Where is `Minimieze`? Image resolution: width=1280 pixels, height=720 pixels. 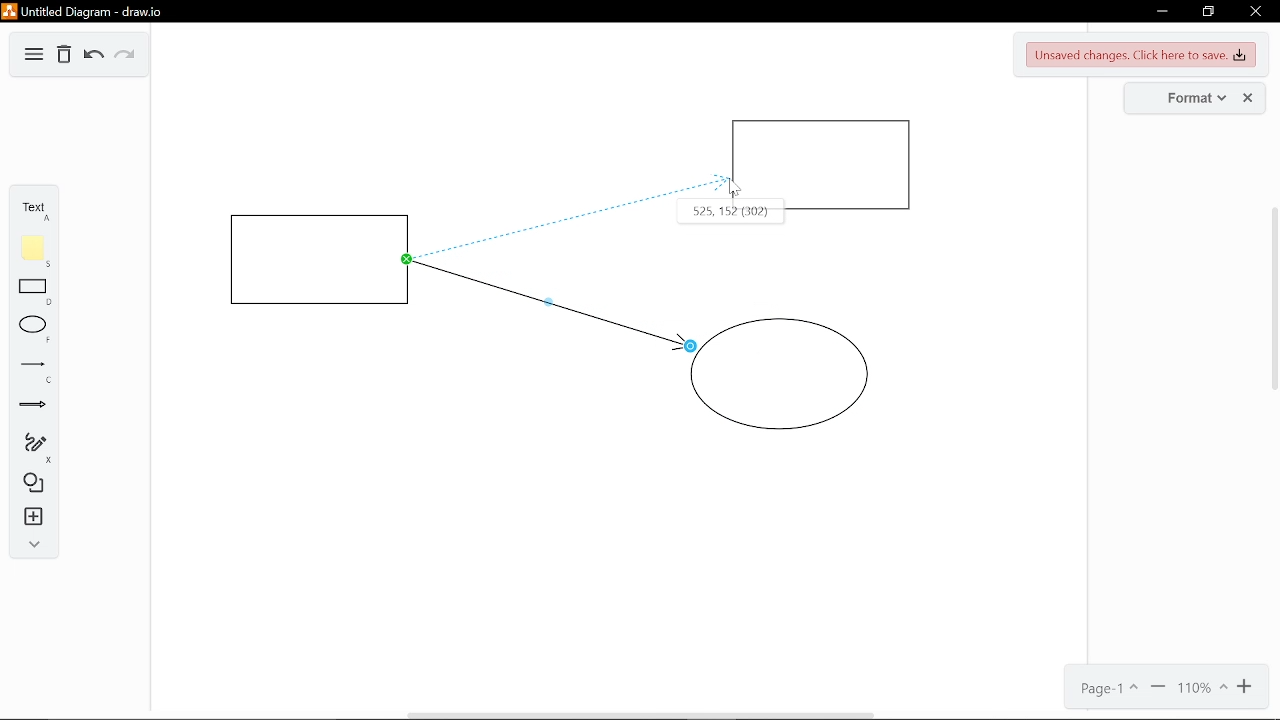
Minimieze is located at coordinates (1161, 12).